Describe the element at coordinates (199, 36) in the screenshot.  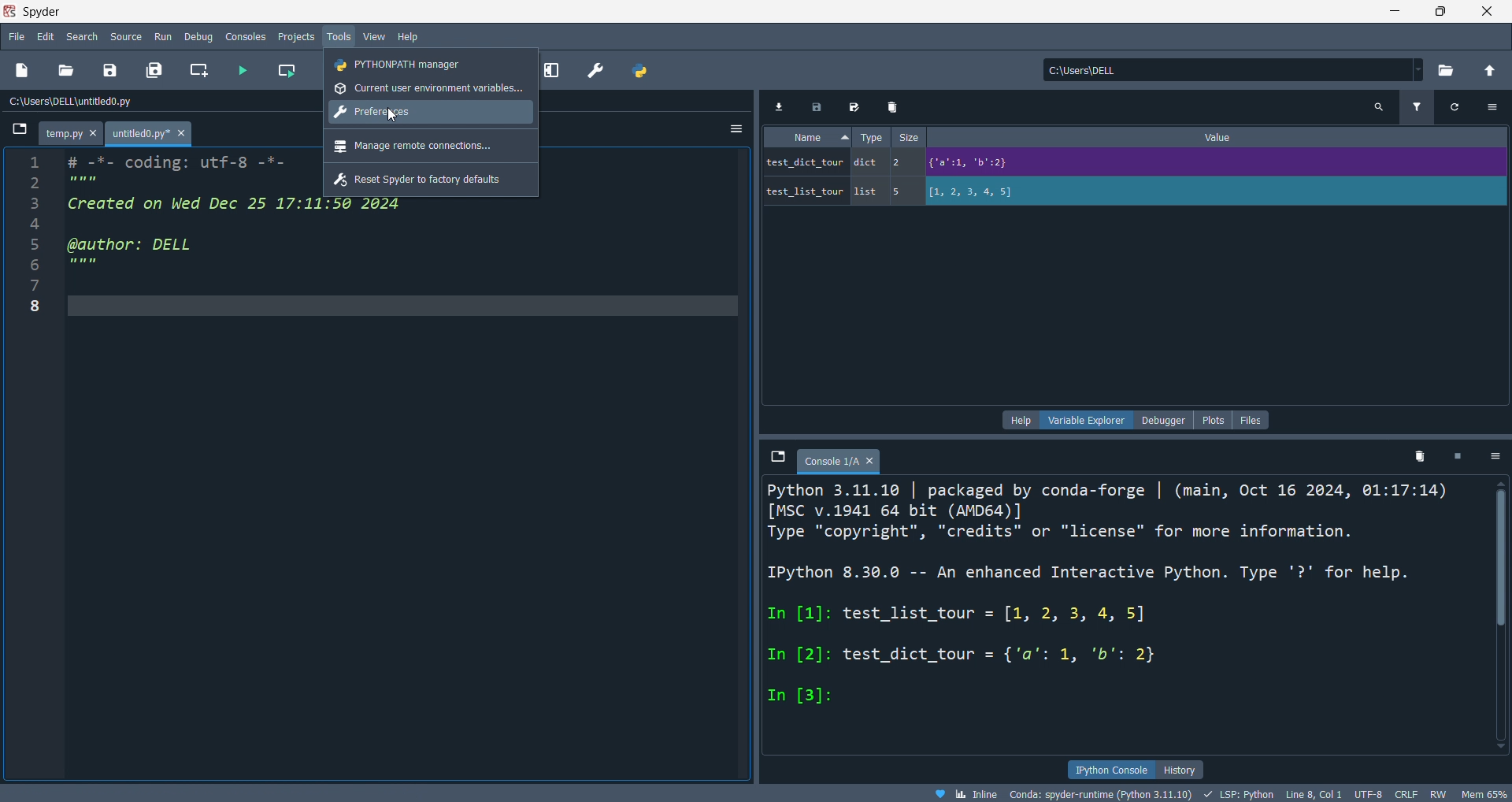
I see `debug` at that location.